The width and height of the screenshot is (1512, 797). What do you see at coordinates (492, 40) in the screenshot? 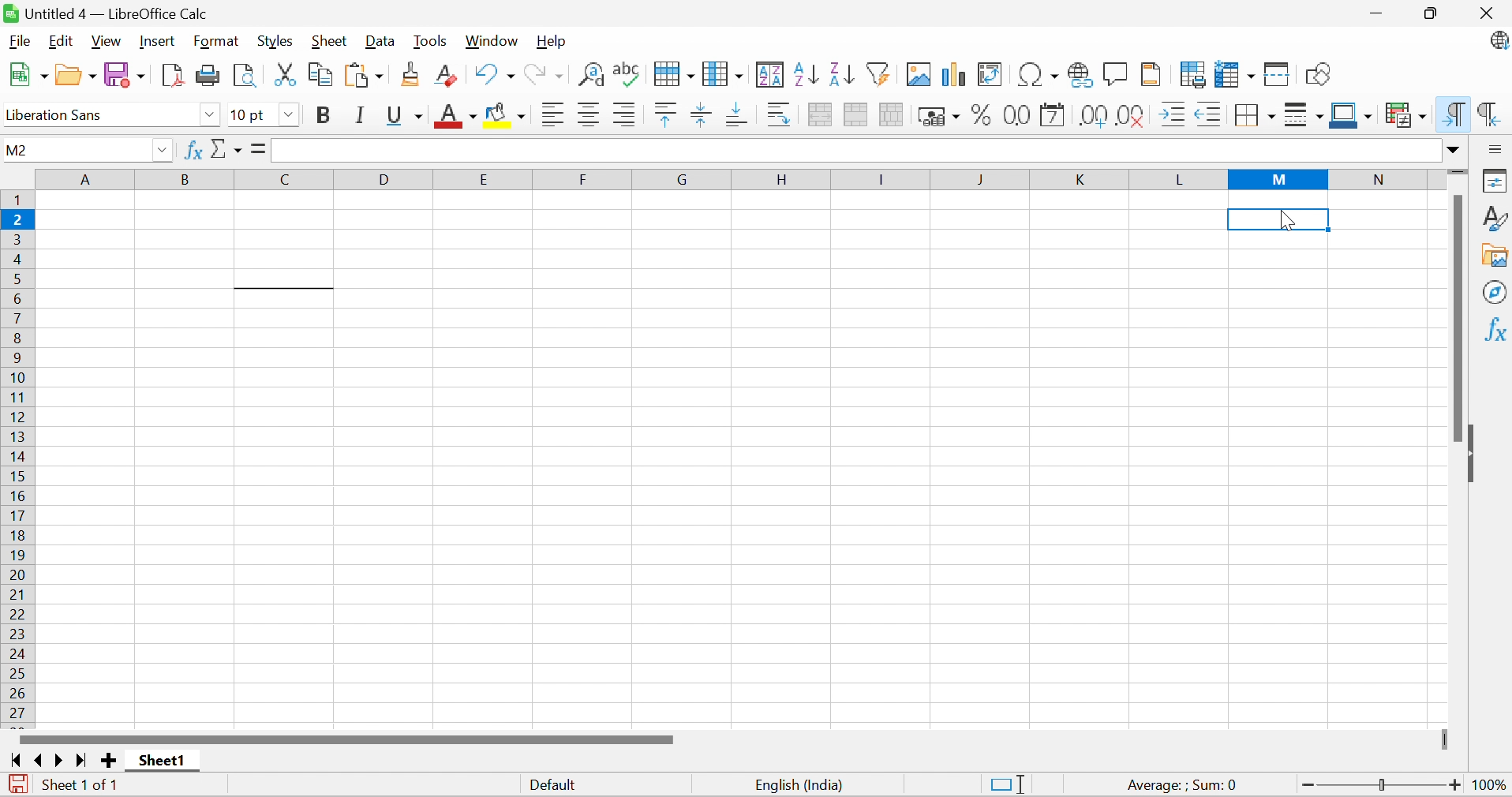
I see `Window` at bounding box center [492, 40].